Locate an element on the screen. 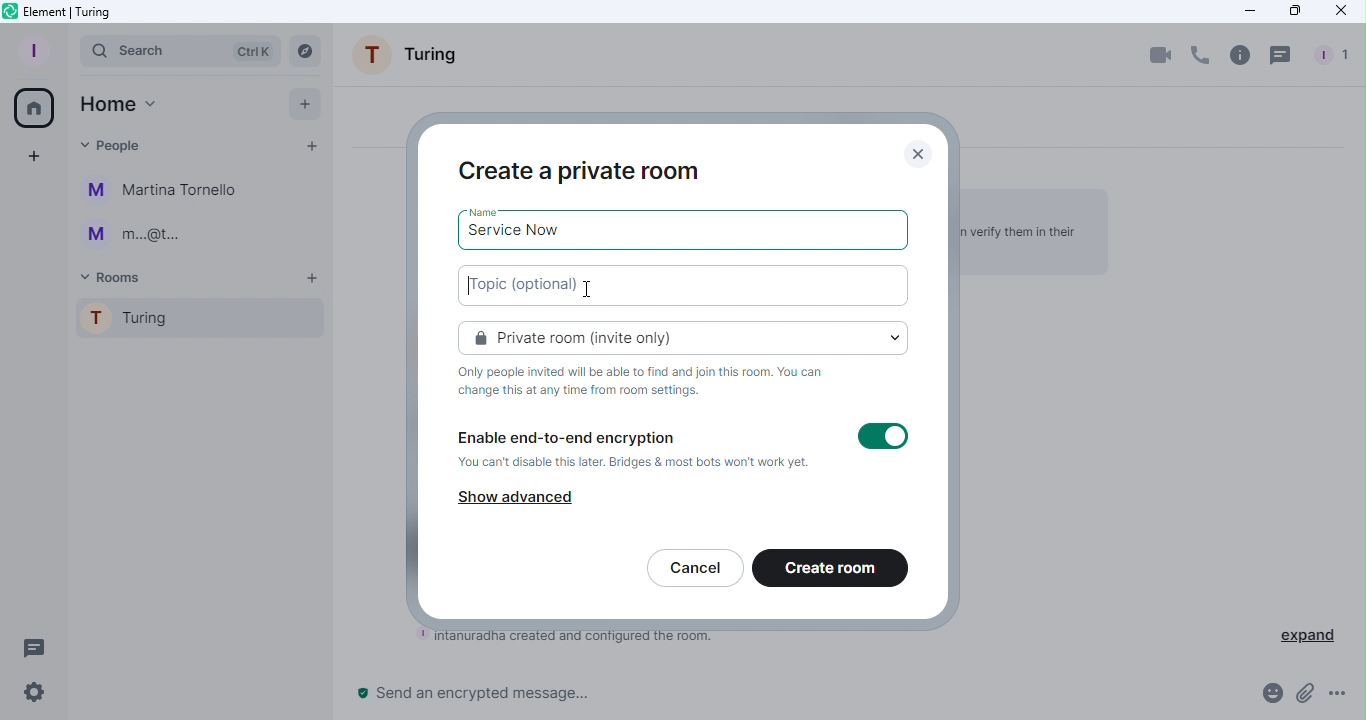 This screenshot has width=1366, height=720. Room name is located at coordinates (413, 59).